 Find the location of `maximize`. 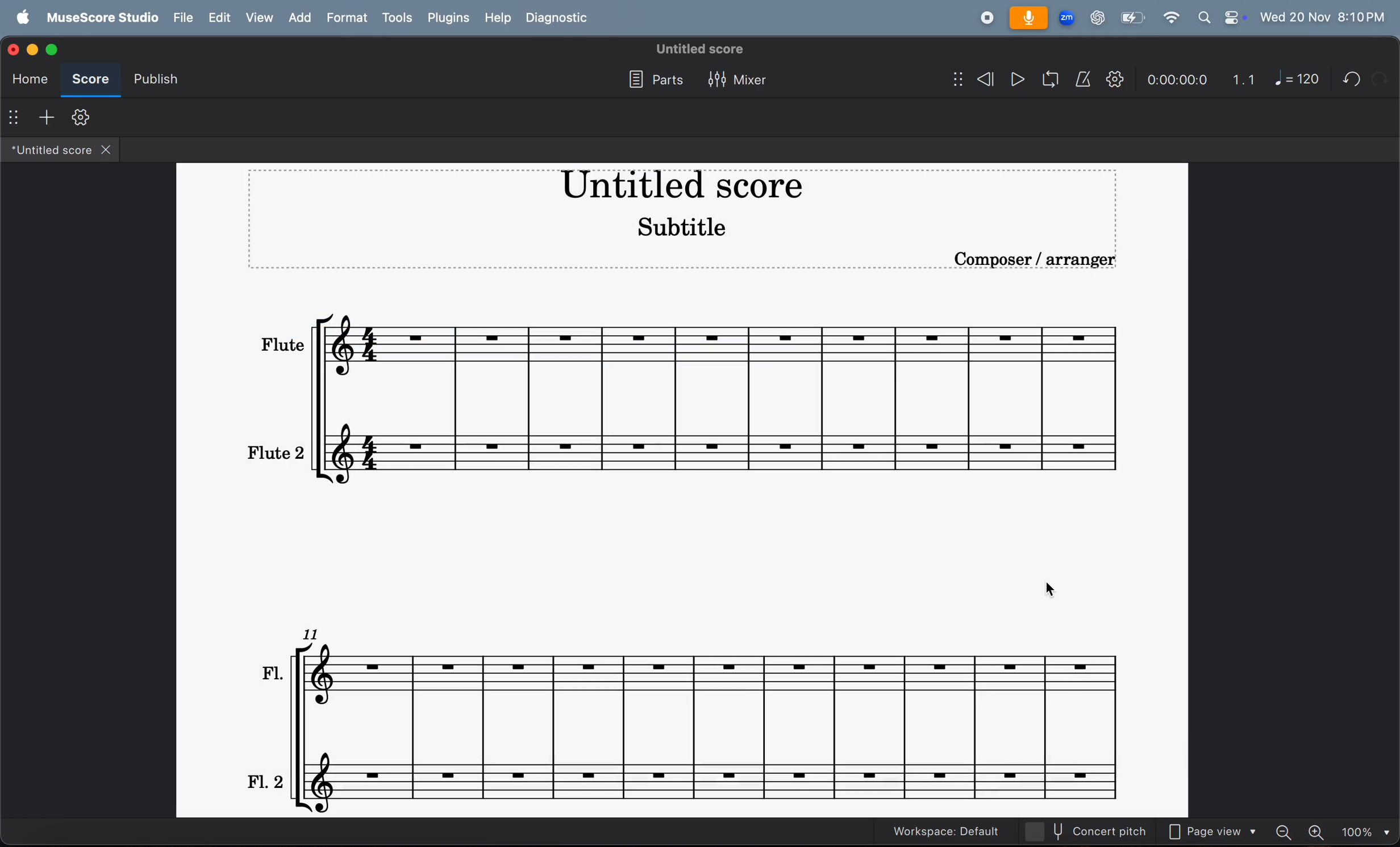

maximize is located at coordinates (56, 49).